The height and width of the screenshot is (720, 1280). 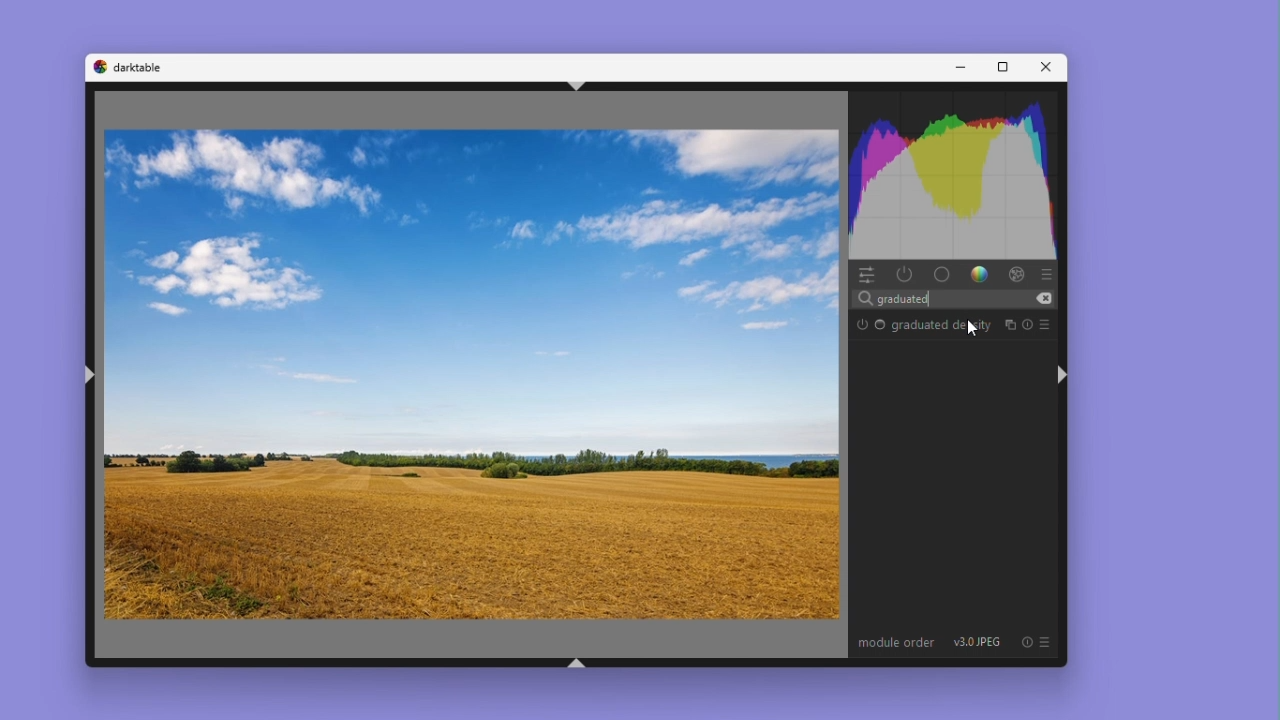 I want to click on presets, so click(x=1050, y=272).